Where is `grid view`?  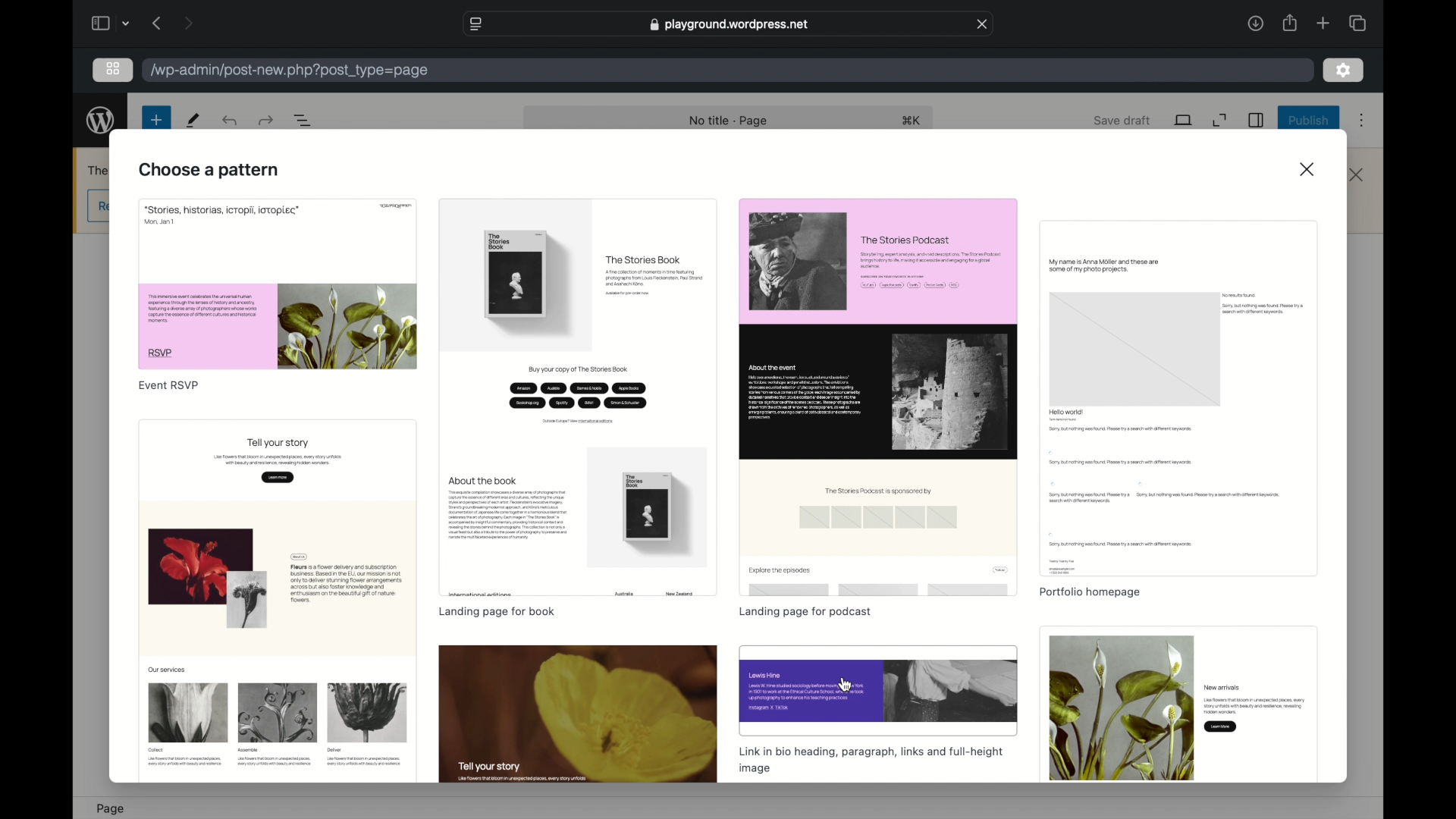 grid view is located at coordinates (113, 68).